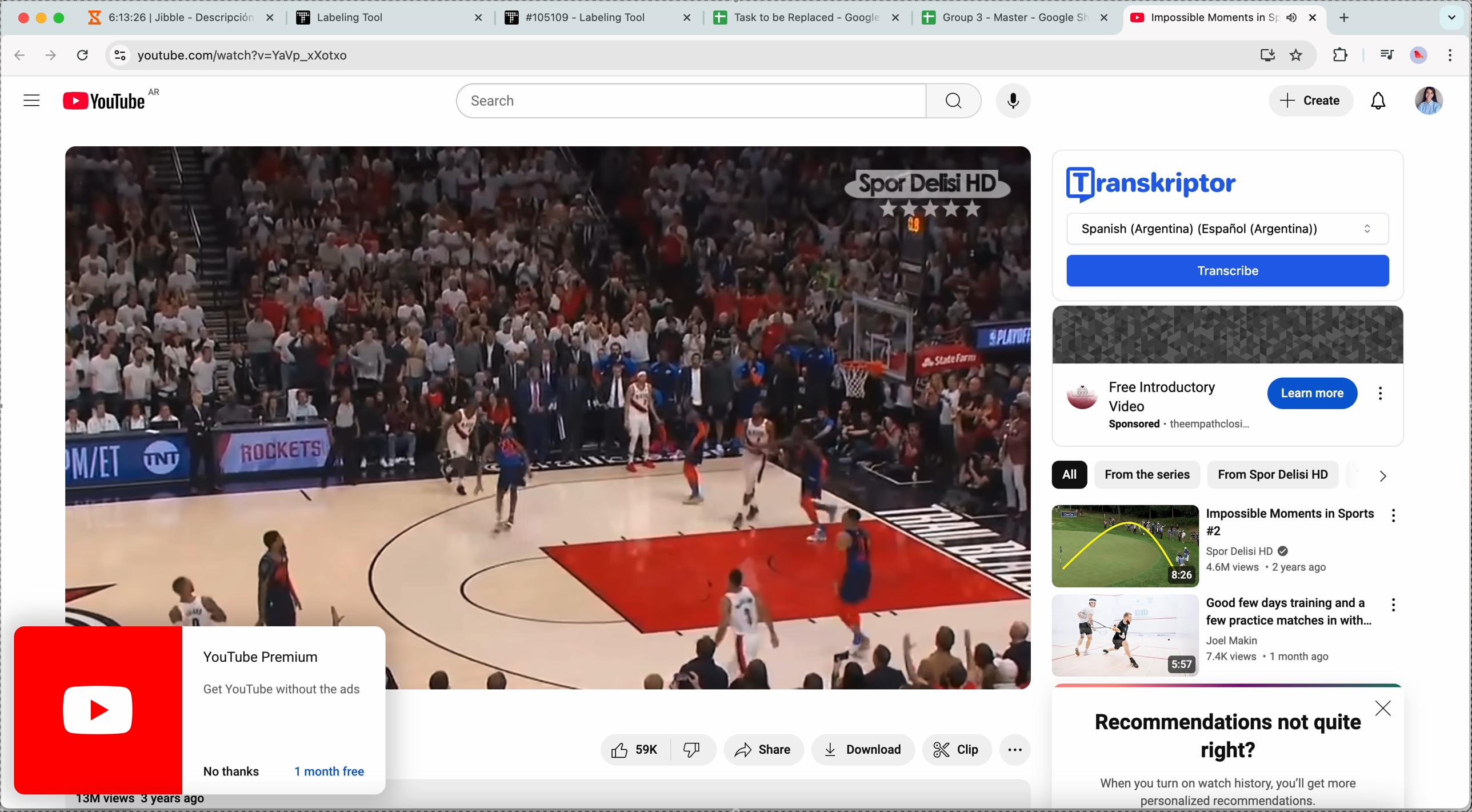 The height and width of the screenshot is (812, 1472). Describe the element at coordinates (1151, 177) in the screenshot. I see `transkriptor logo` at that location.